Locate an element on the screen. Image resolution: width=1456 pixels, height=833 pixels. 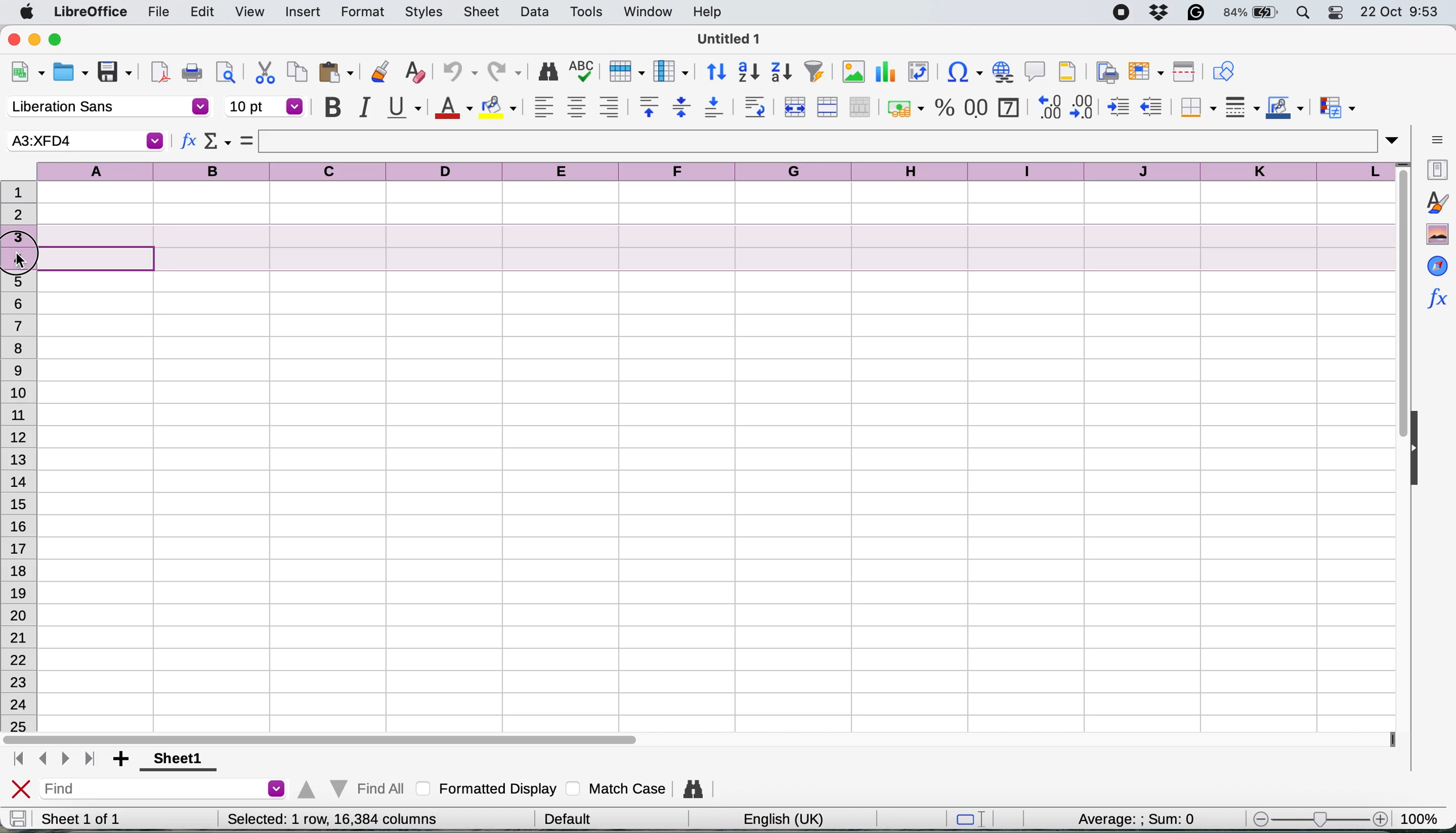
copy is located at coordinates (298, 72).